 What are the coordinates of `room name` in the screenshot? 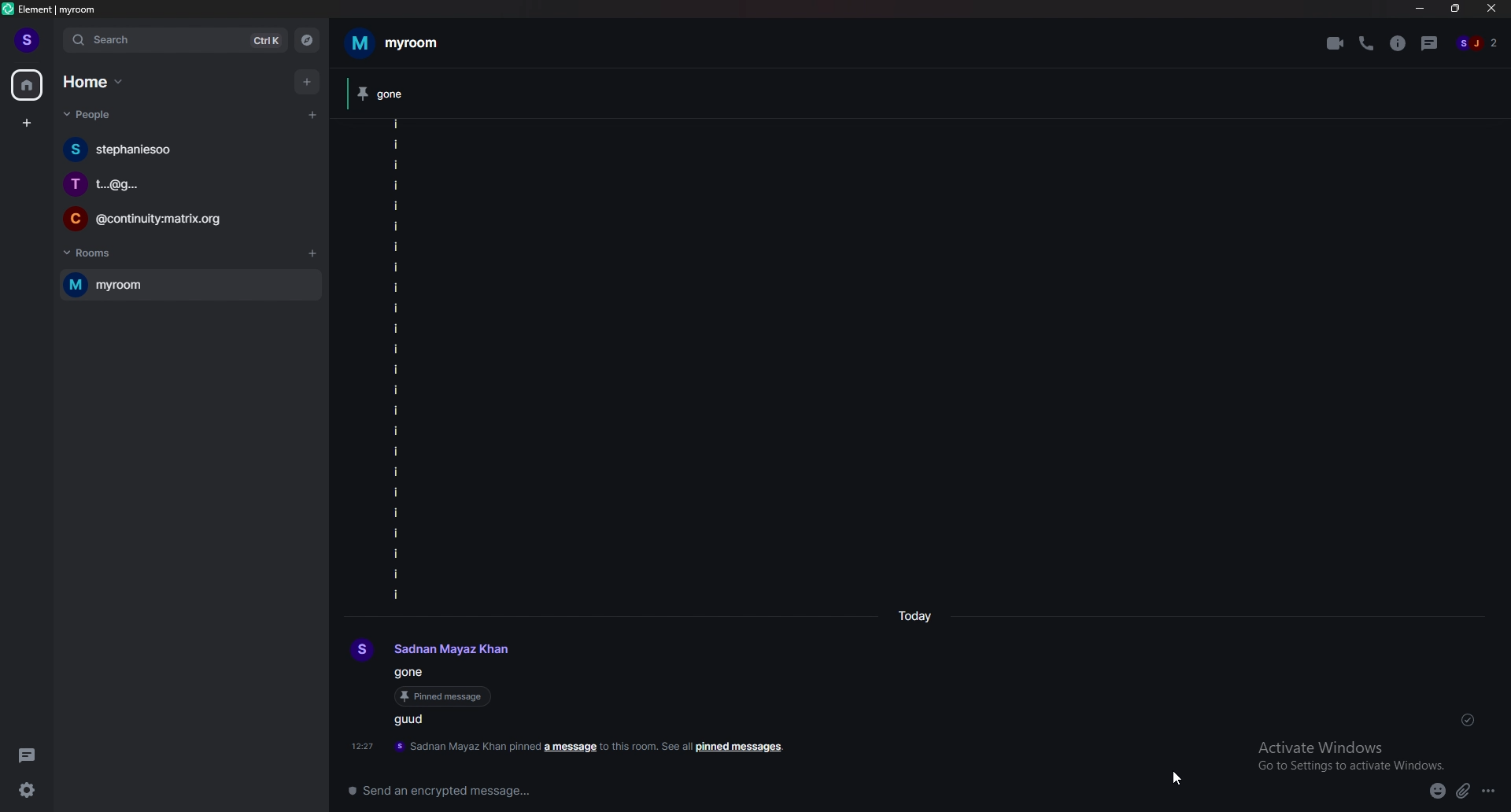 It's located at (399, 42).